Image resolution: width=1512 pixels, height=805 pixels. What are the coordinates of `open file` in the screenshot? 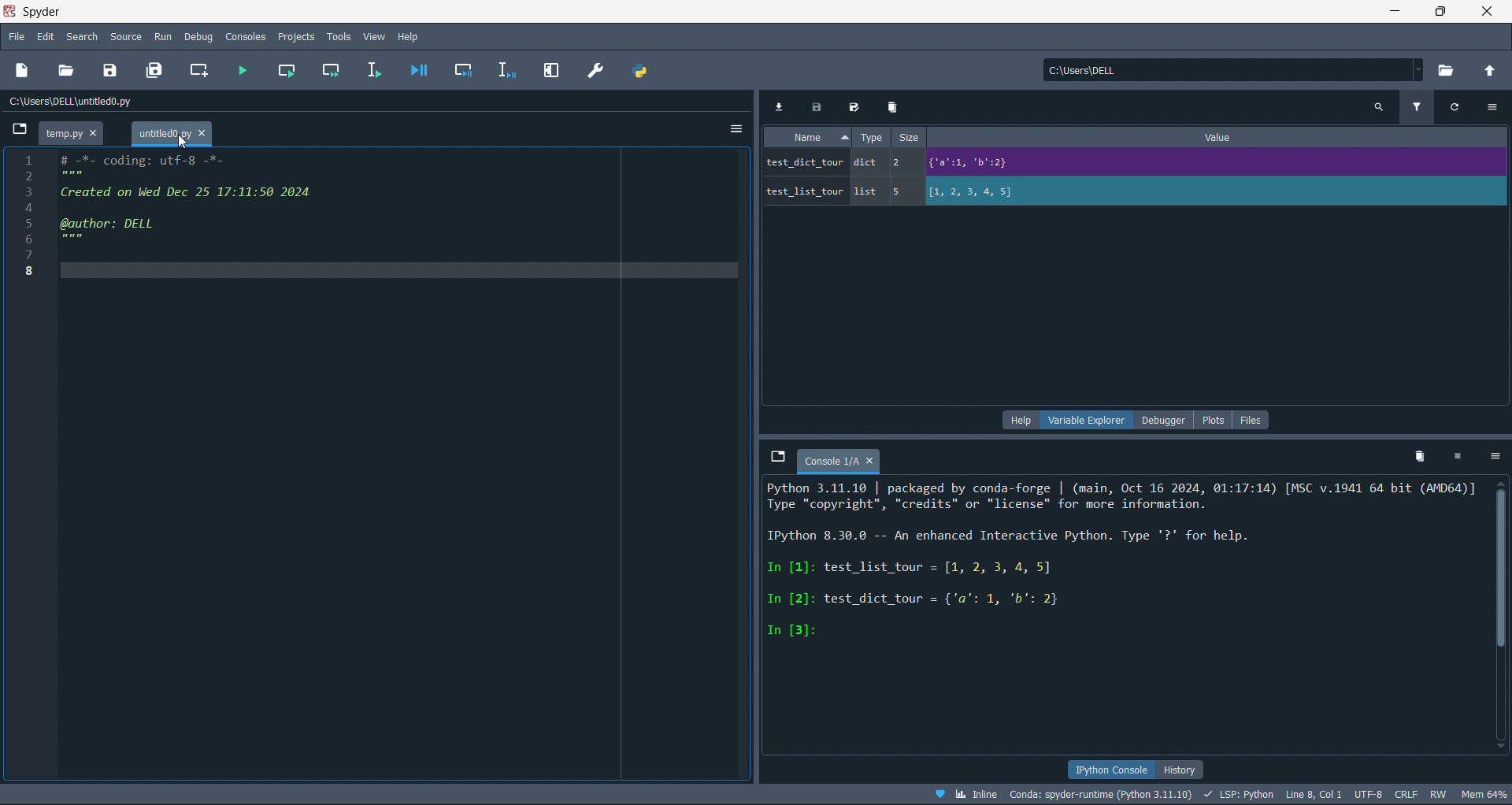 It's located at (69, 70).